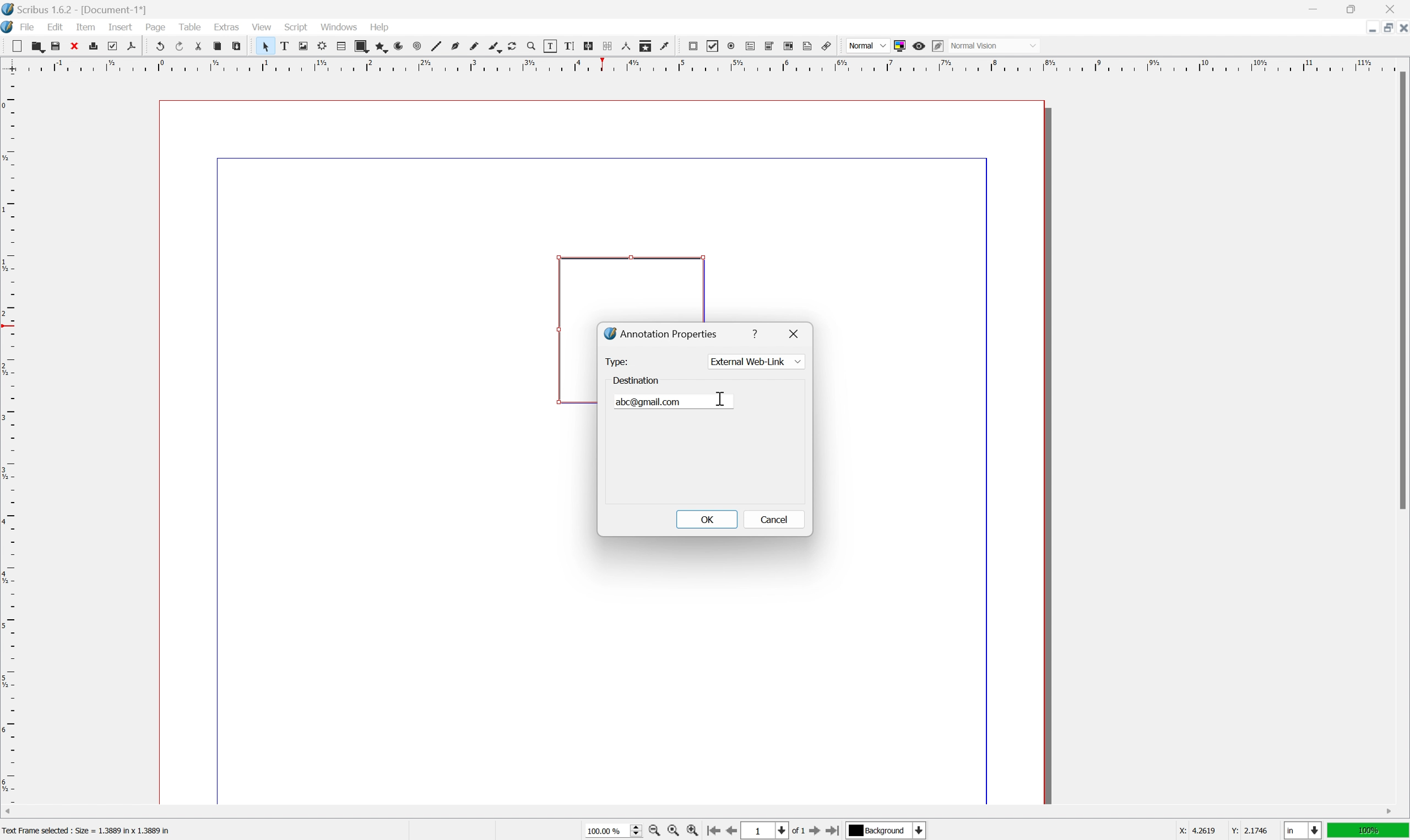 Image resolution: width=1410 pixels, height=840 pixels. Describe the element at coordinates (341, 46) in the screenshot. I see `table` at that location.